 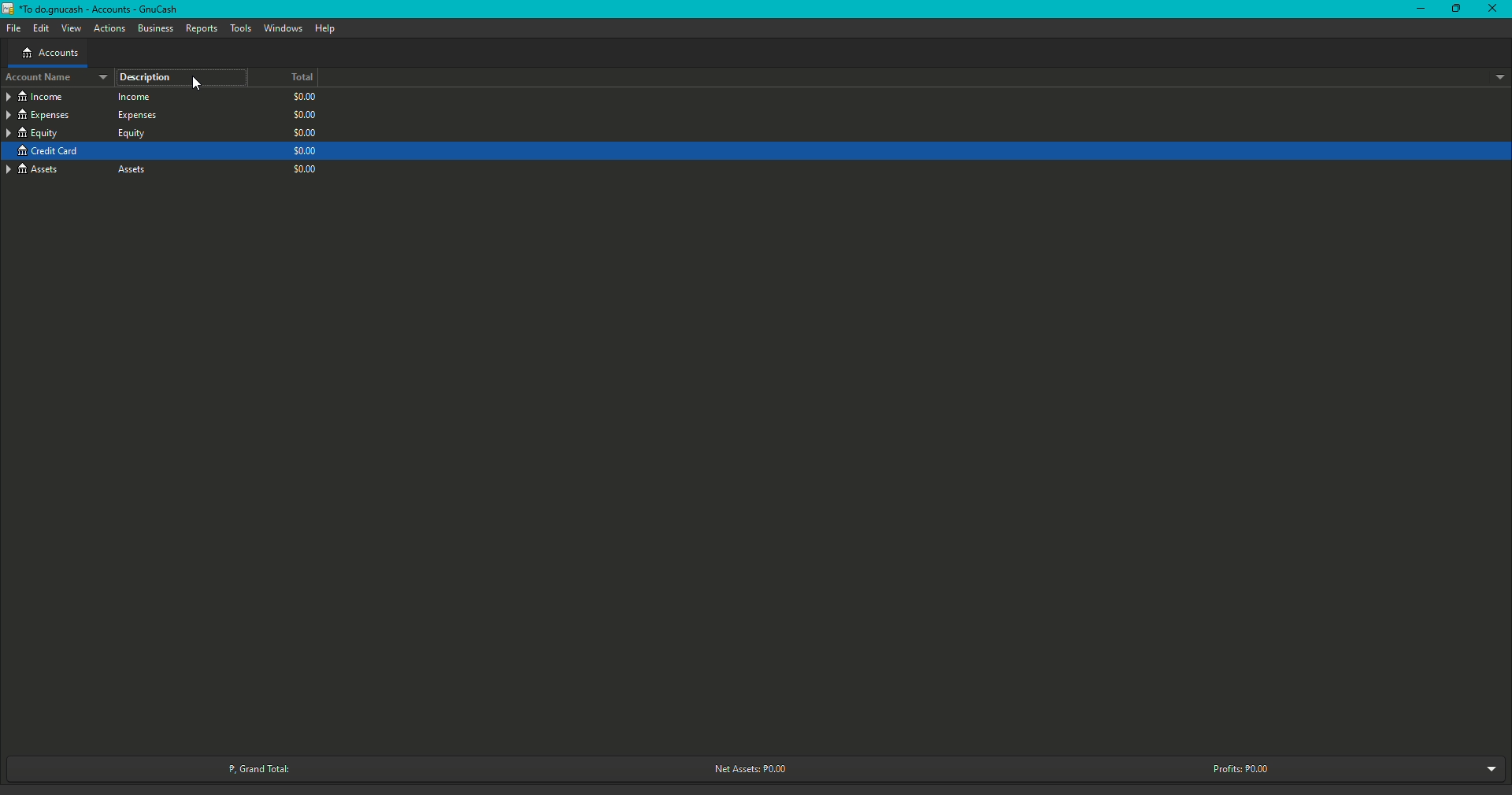 I want to click on Cursor, so click(x=198, y=85).